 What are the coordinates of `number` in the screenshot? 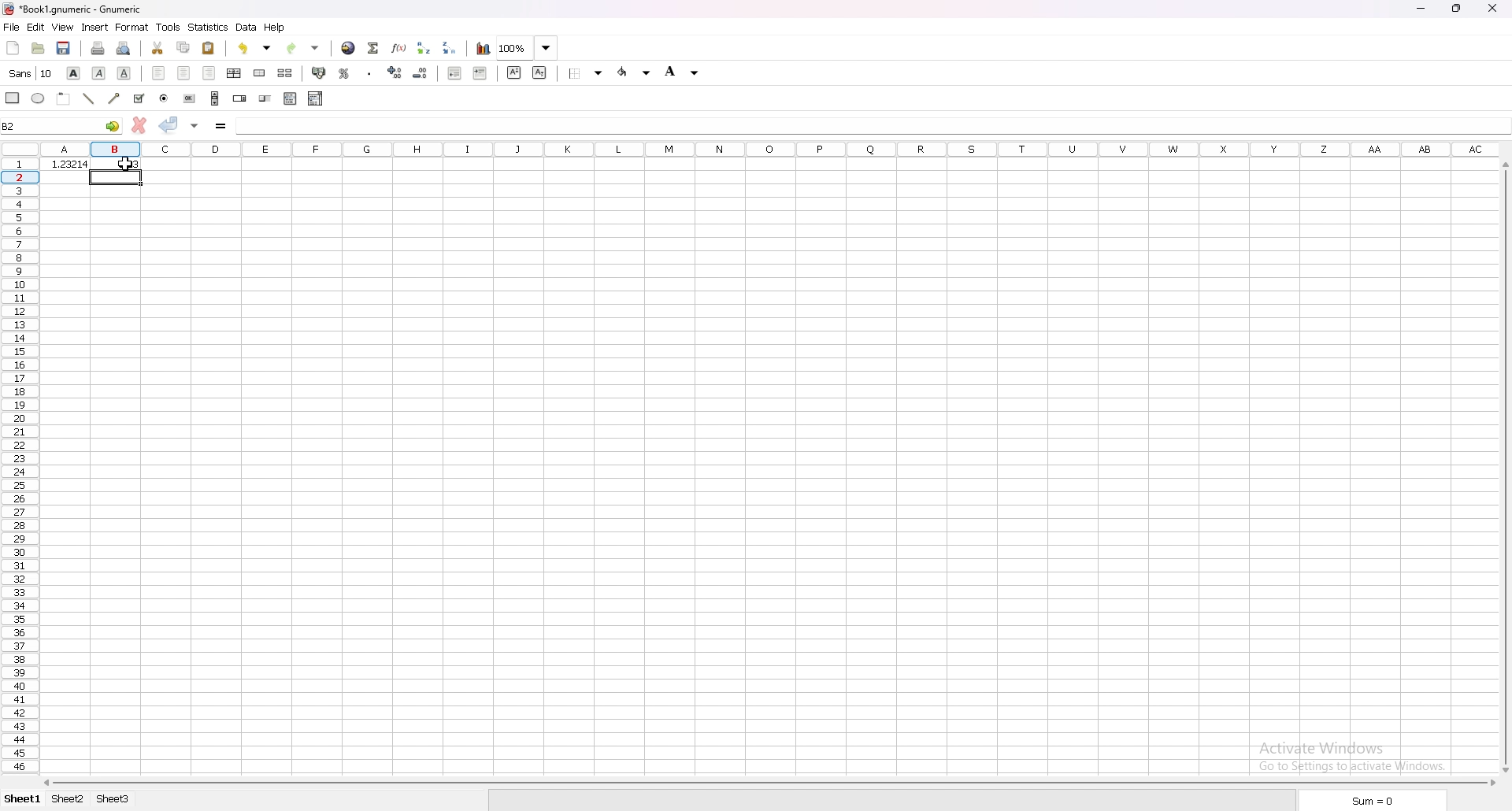 It's located at (68, 164).